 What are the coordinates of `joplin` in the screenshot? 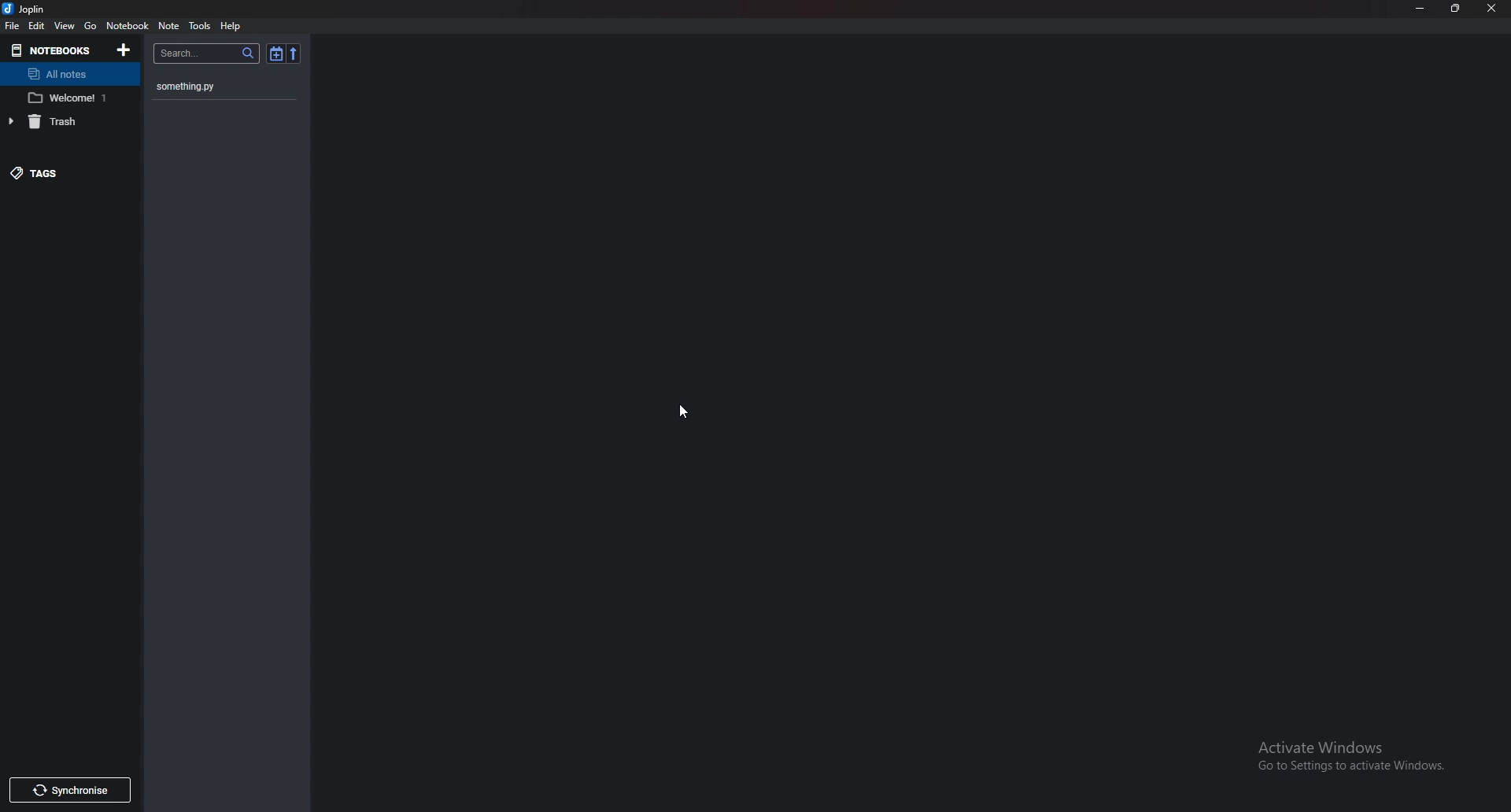 It's located at (28, 9).